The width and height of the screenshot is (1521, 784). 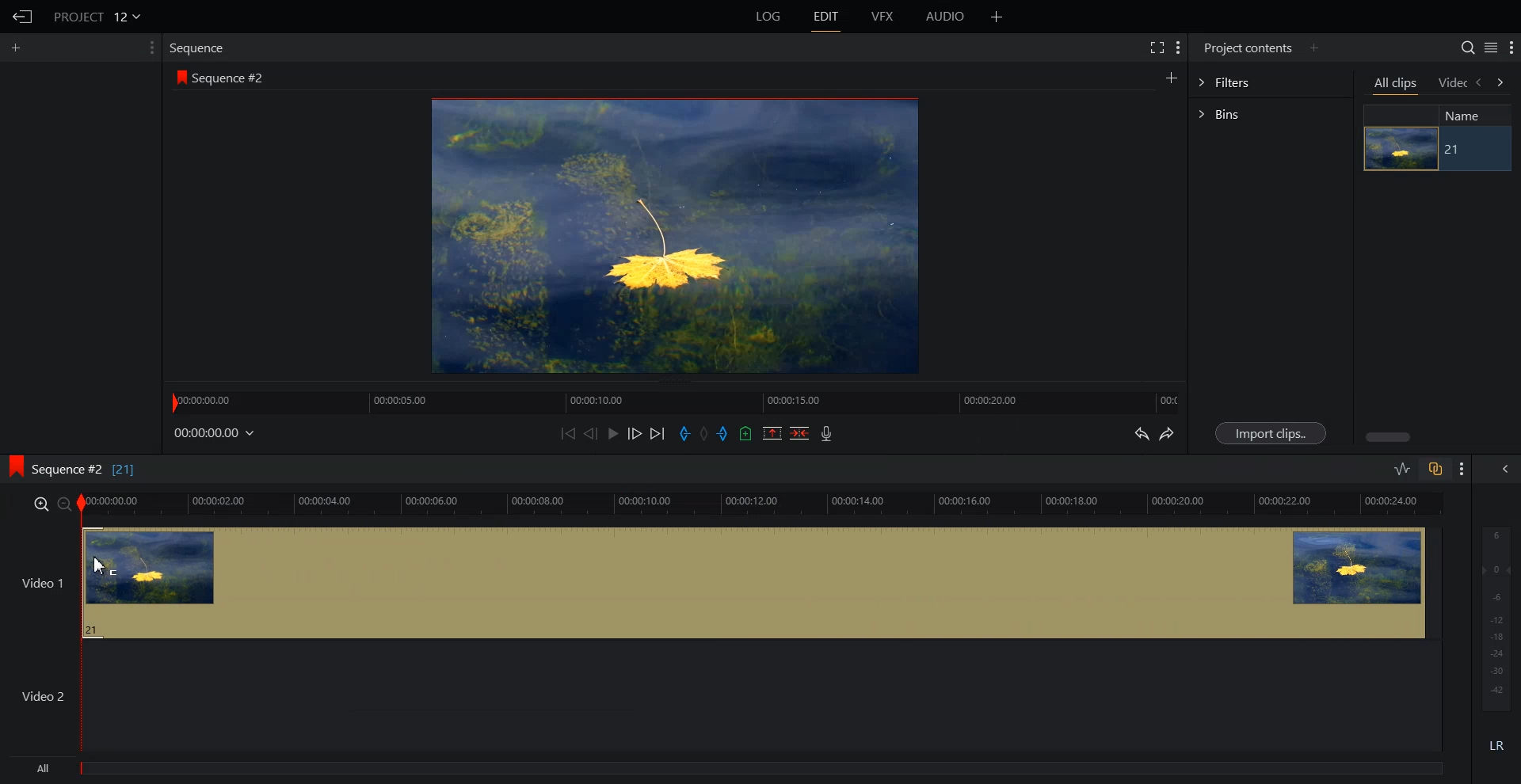 I want to click on Toggle Auto track Sync, so click(x=1434, y=469).